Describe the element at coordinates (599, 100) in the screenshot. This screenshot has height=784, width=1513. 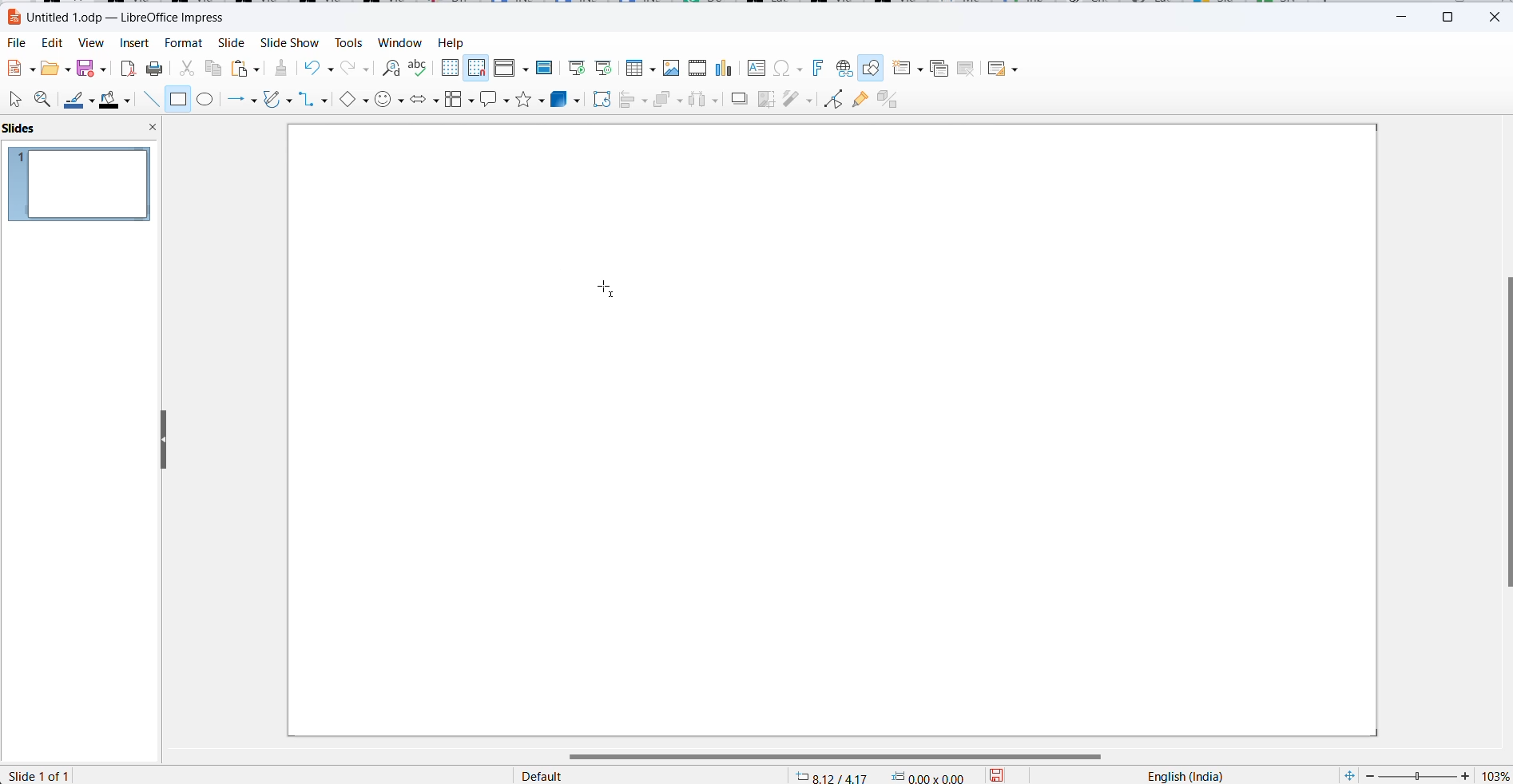
I see `rotate` at that location.